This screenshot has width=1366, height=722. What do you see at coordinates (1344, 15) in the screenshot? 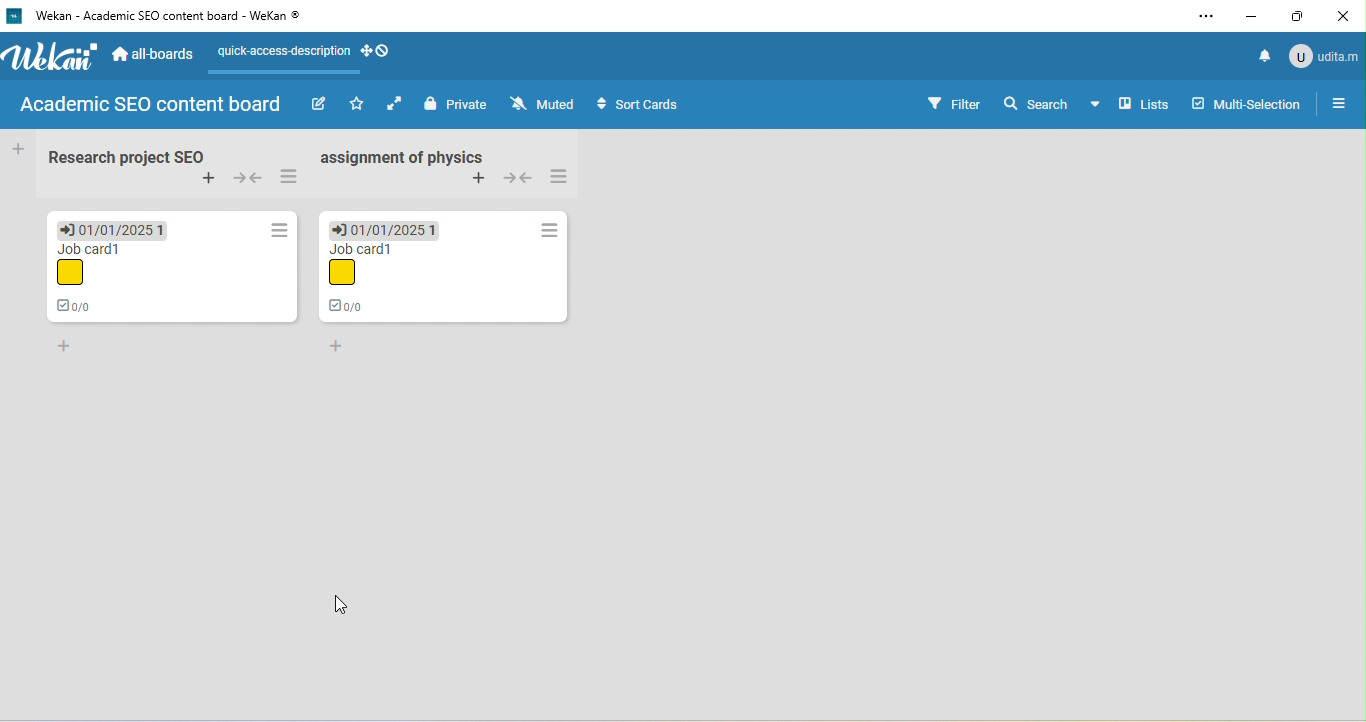
I see `close` at bounding box center [1344, 15].